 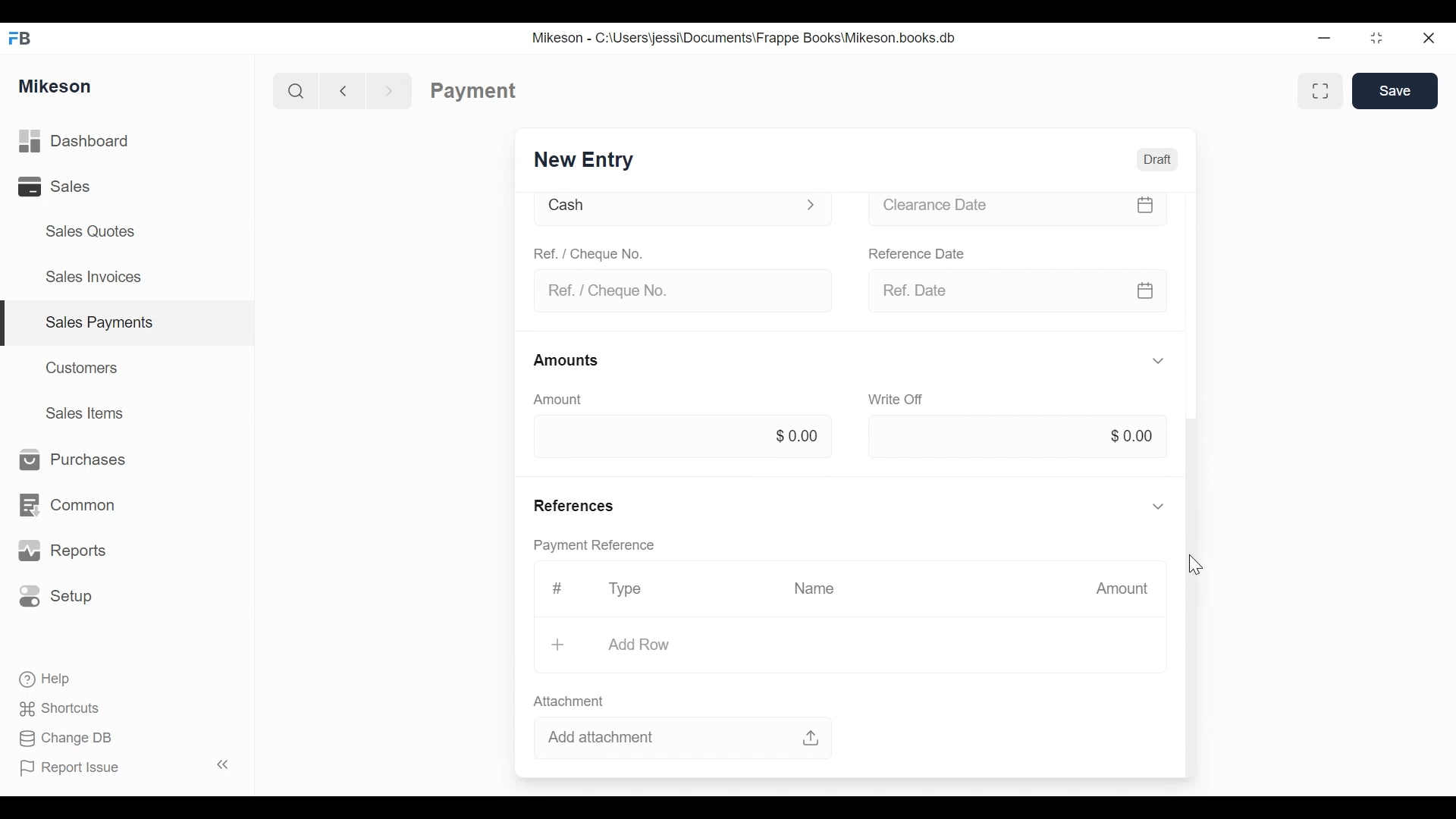 What do you see at coordinates (102, 322) in the screenshot?
I see `Sales payments` at bounding box center [102, 322].